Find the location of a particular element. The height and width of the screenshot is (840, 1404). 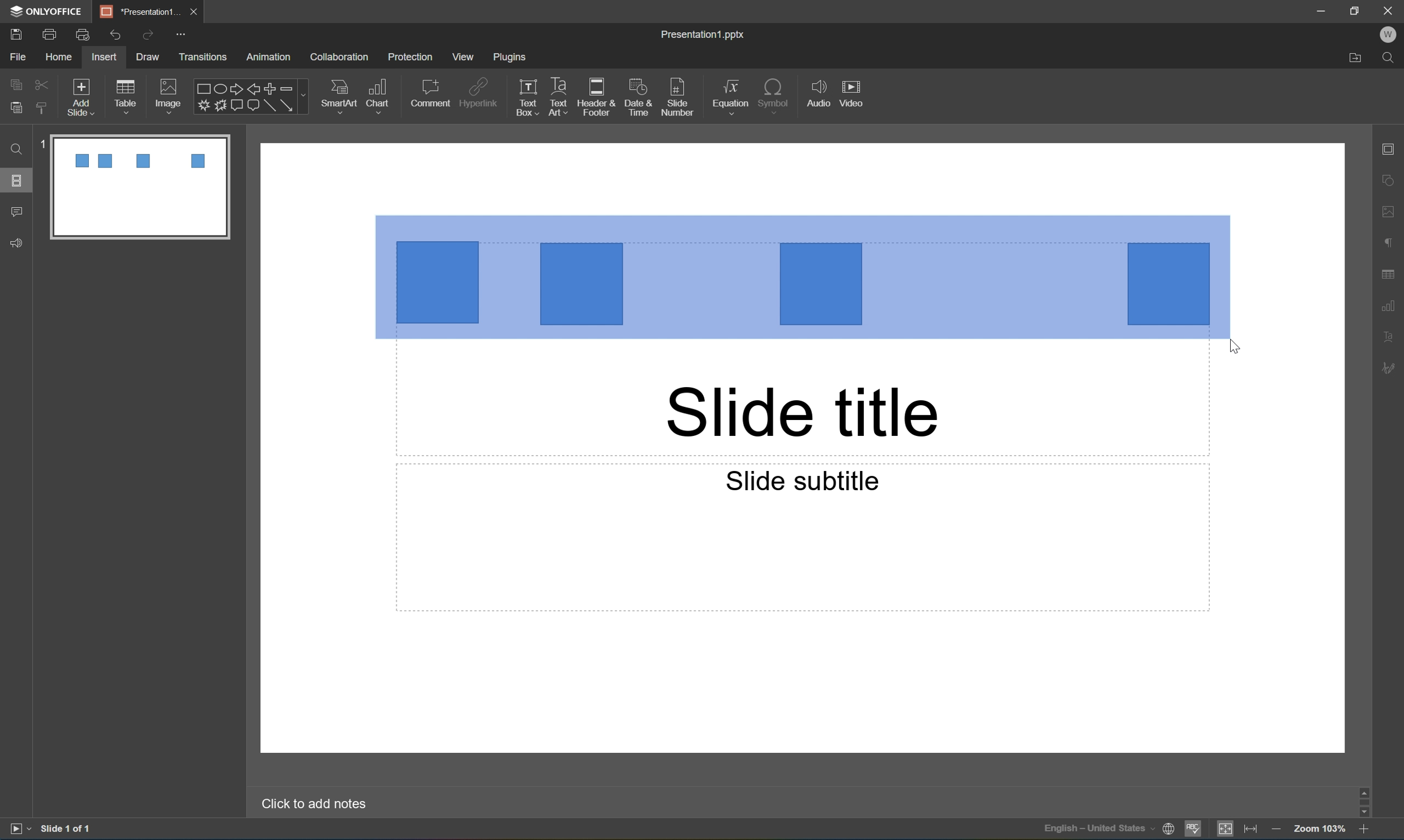

slide number is located at coordinates (678, 98).